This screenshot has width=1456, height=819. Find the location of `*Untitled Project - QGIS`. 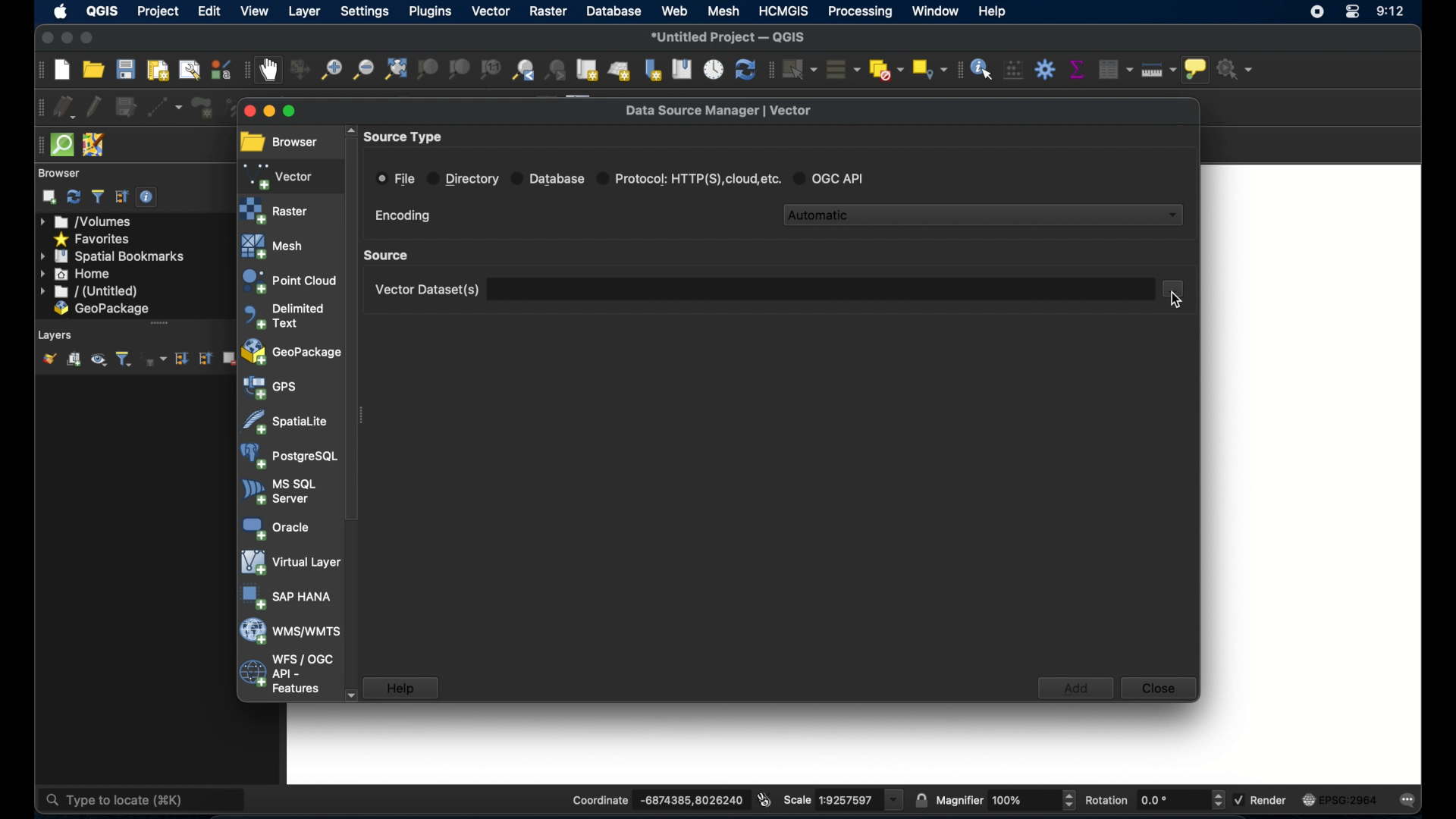

*Untitled Project - QGIS is located at coordinates (730, 36).